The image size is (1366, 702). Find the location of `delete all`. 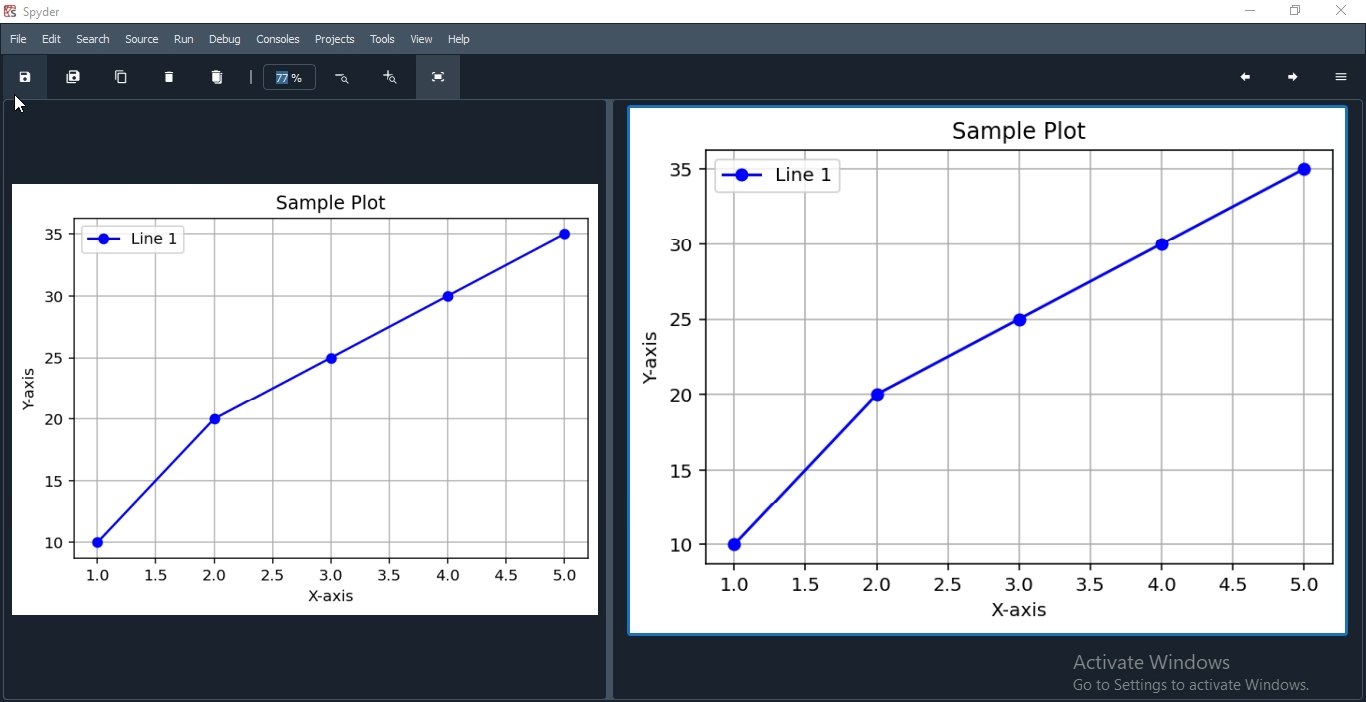

delete all is located at coordinates (222, 77).